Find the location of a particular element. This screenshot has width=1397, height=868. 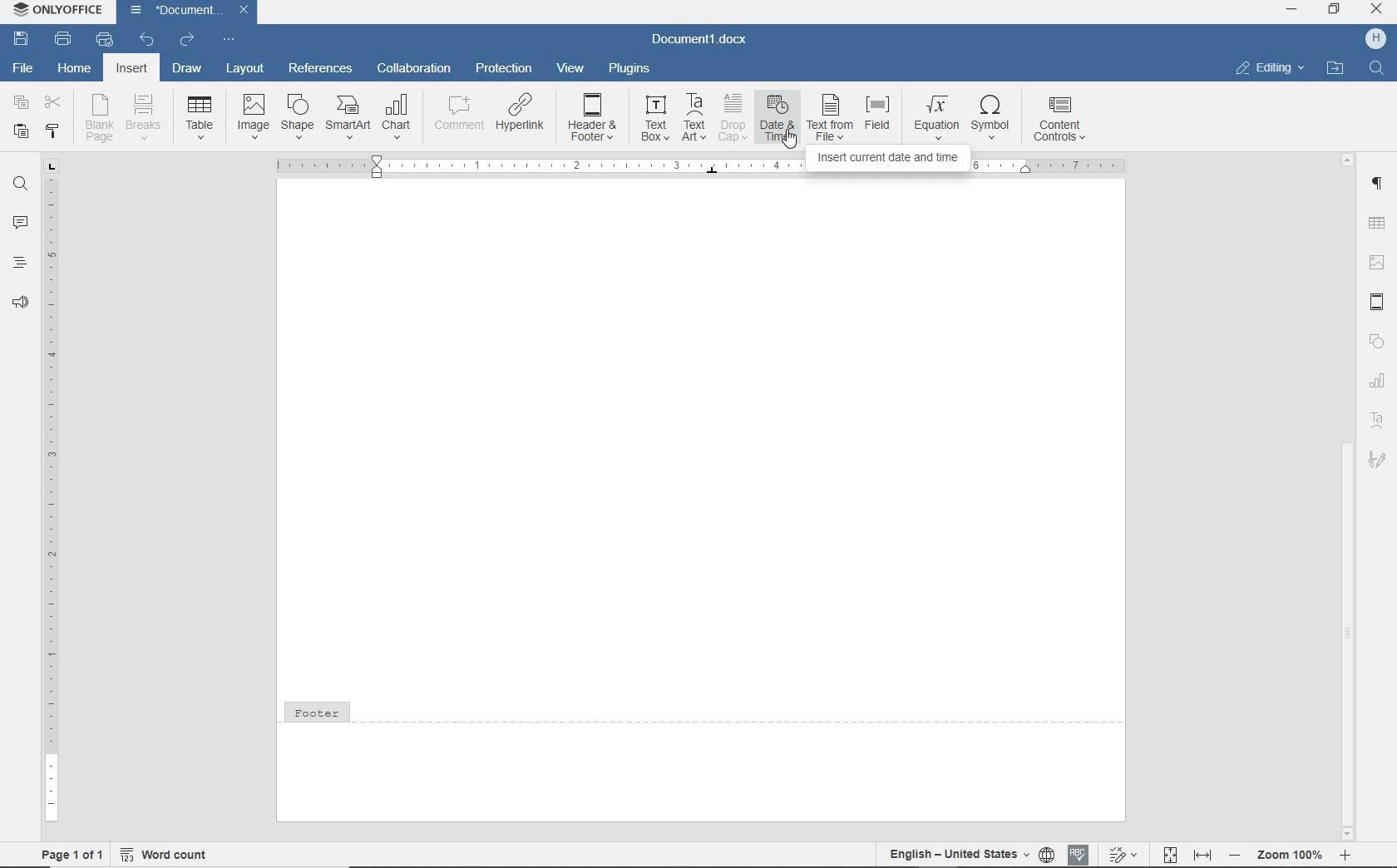

open file location is located at coordinates (1337, 68).